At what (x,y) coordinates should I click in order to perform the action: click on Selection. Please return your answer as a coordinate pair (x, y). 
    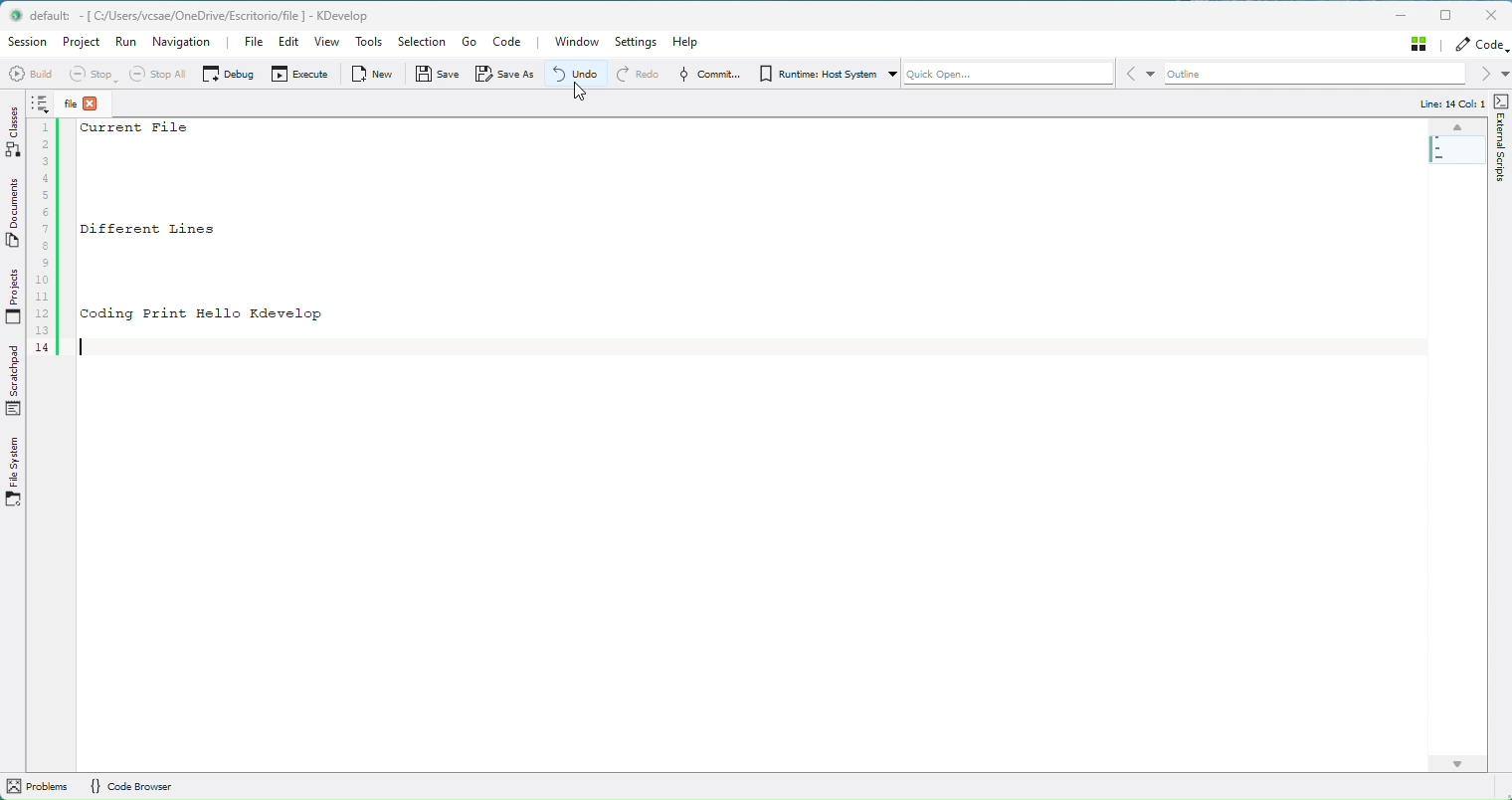
    Looking at the image, I should click on (420, 42).